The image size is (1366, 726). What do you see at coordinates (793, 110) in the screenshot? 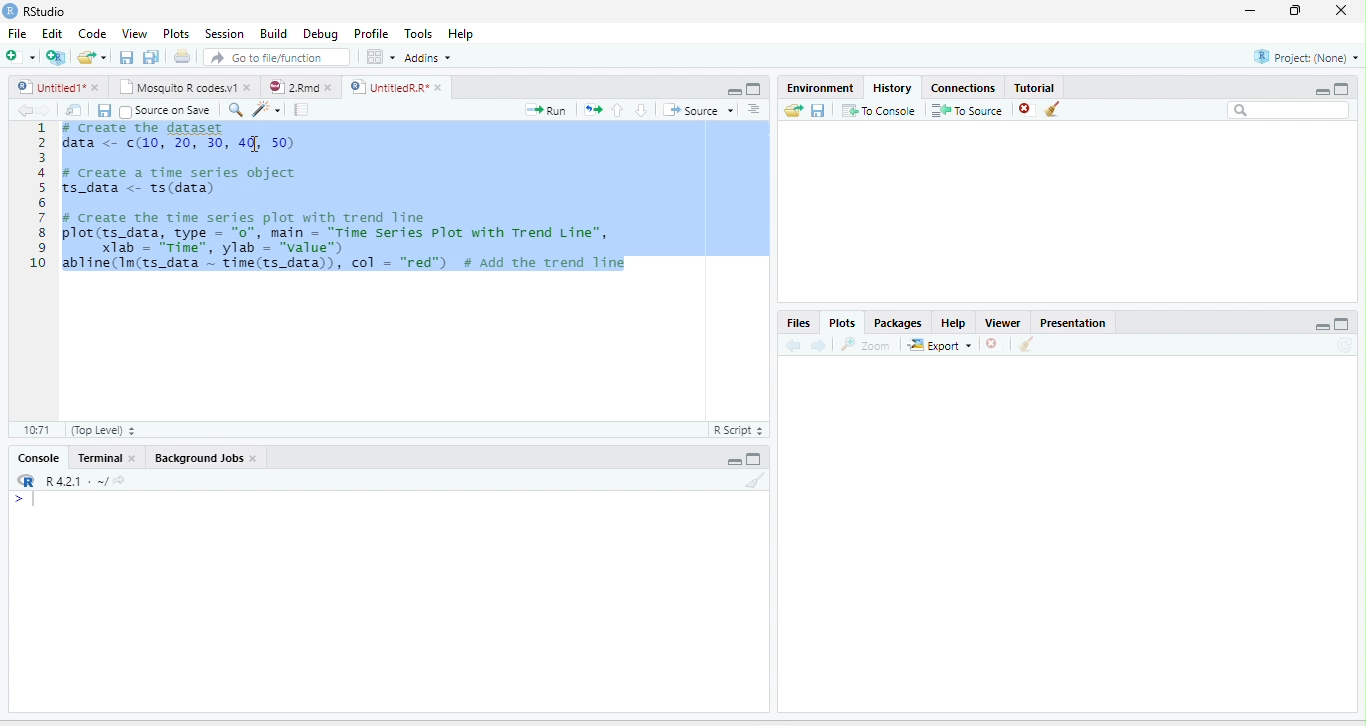
I see `Load history from an existing file` at bounding box center [793, 110].